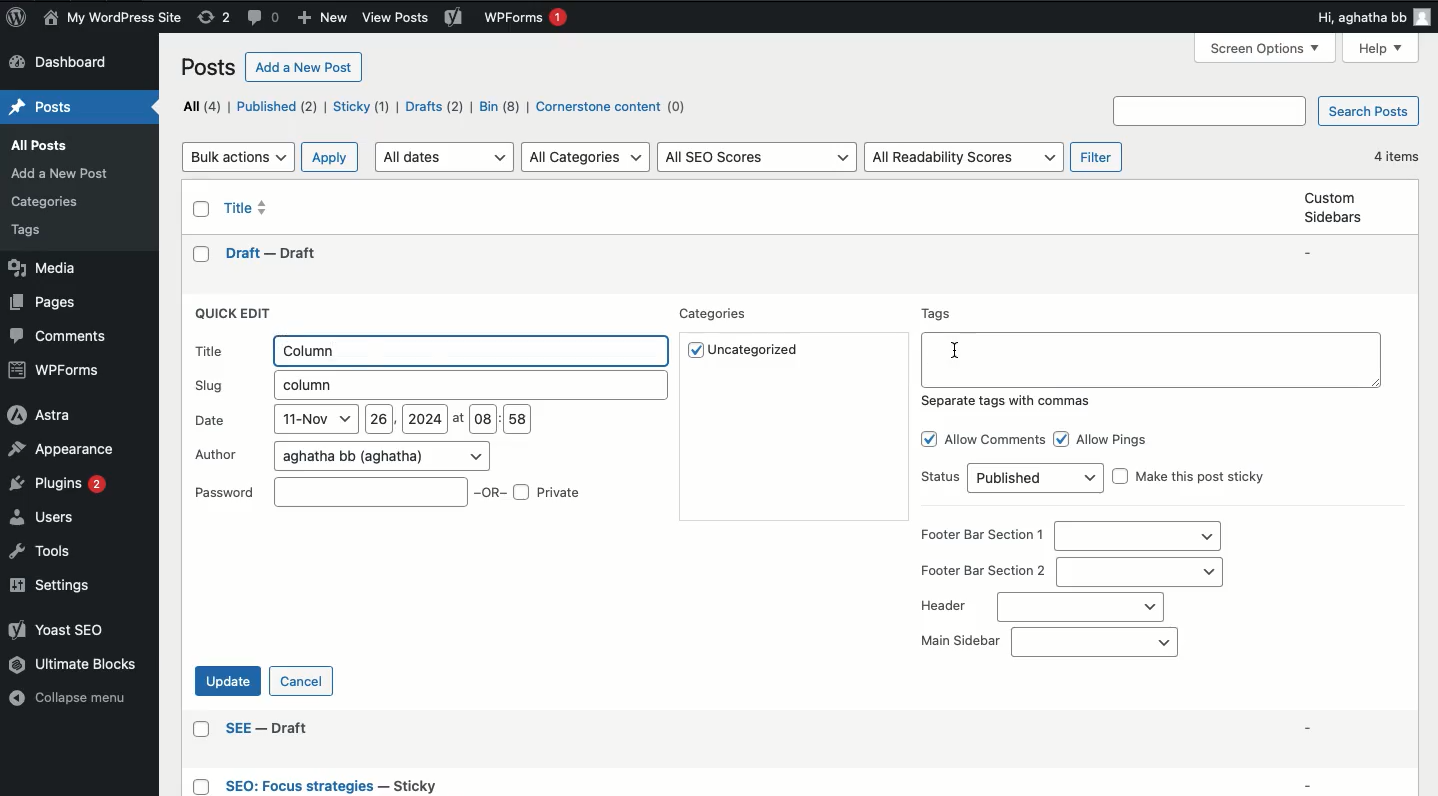 Image resolution: width=1438 pixels, height=796 pixels. Describe the element at coordinates (273, 255) in the screenshot. I see `draft -- draft` at that location.